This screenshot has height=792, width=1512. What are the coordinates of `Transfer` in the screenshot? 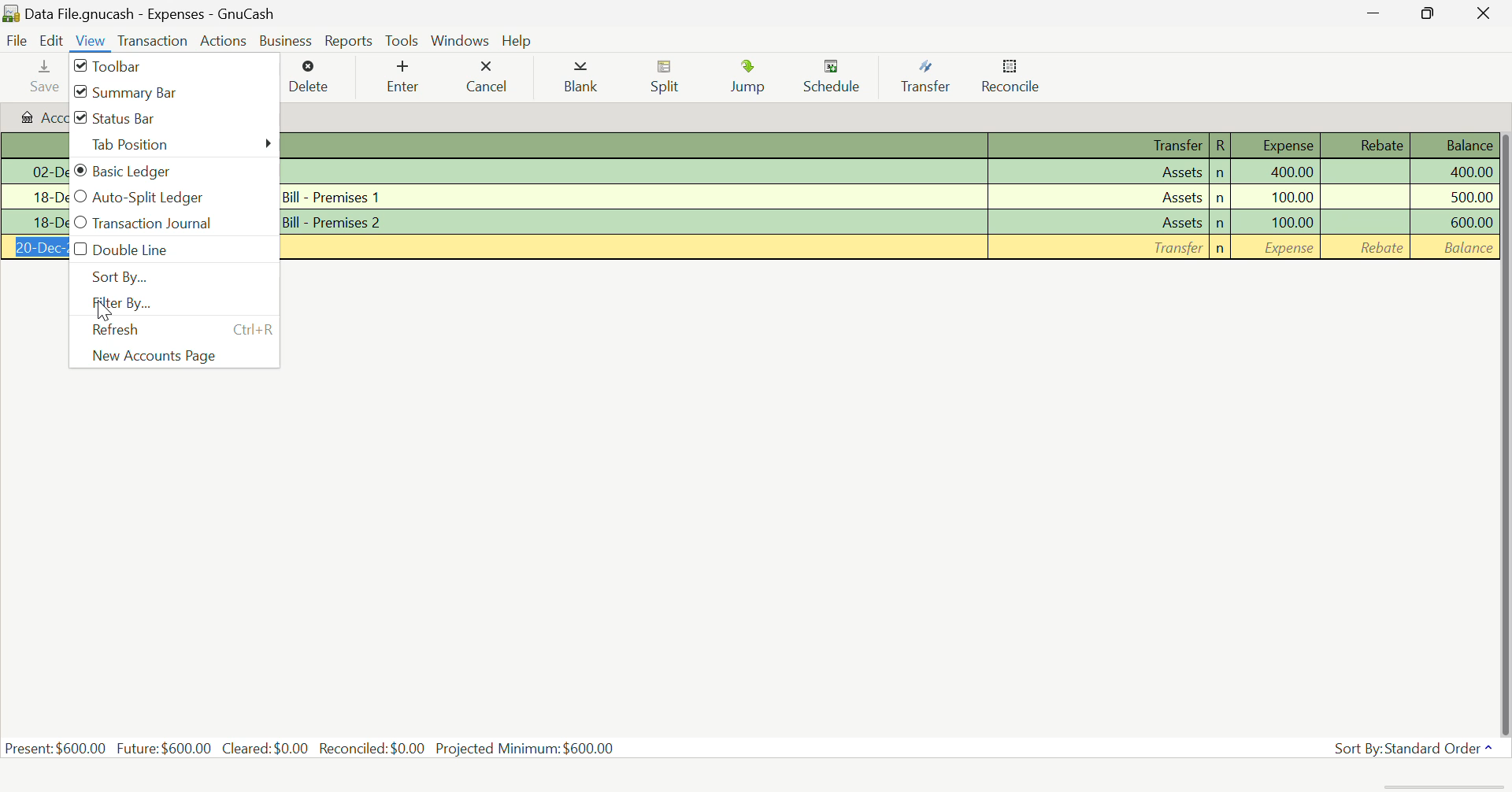 It's located at (1097, 247).